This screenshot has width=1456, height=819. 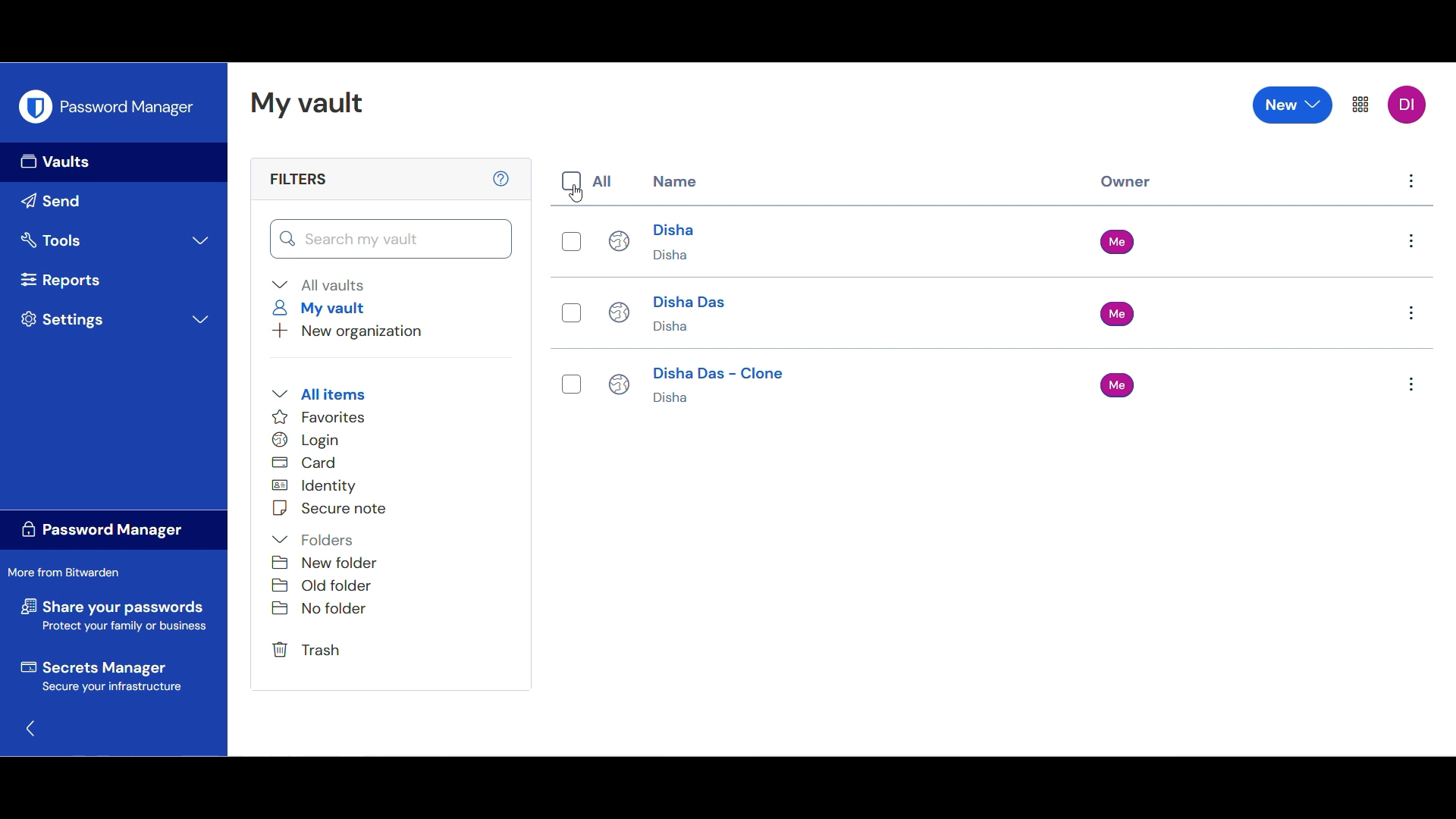 I want to click on Collapse all items, so click(x=318, y=394).